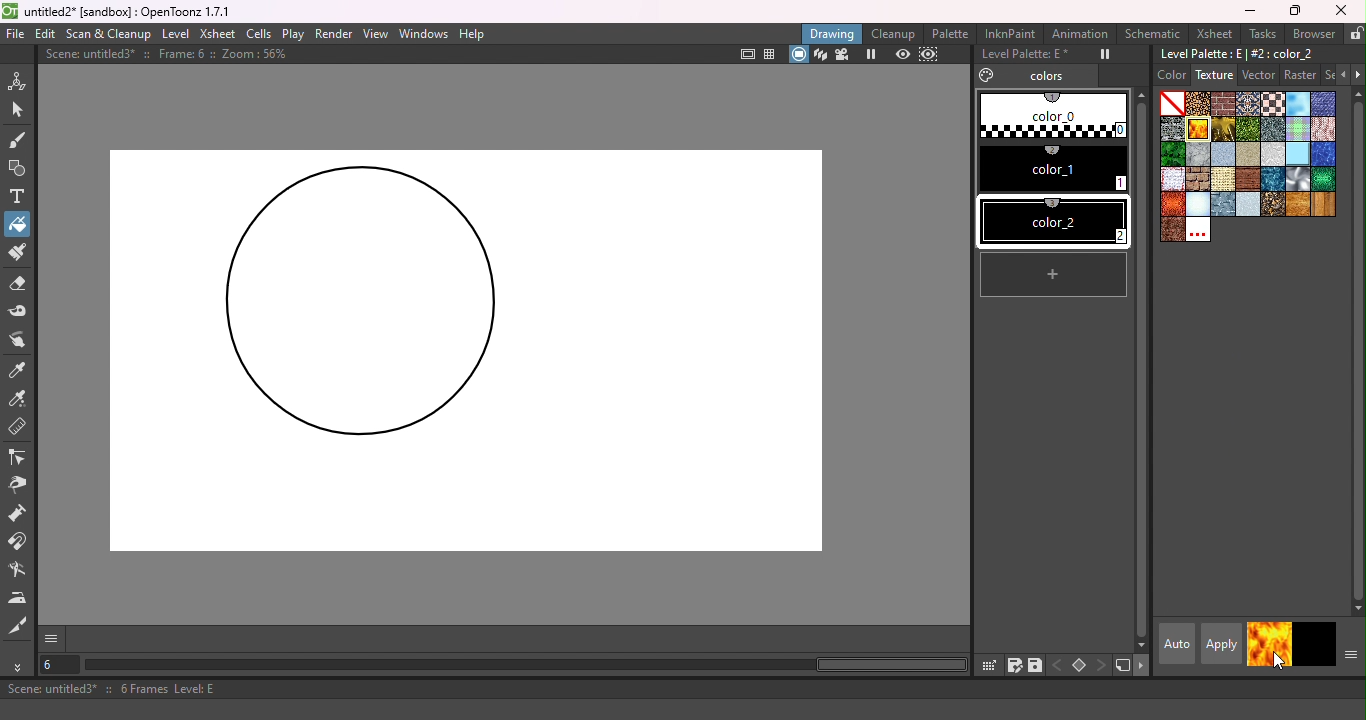  Describe the element at coordinates (833, 33) in the screenshot. I see `Drawing` at that location.